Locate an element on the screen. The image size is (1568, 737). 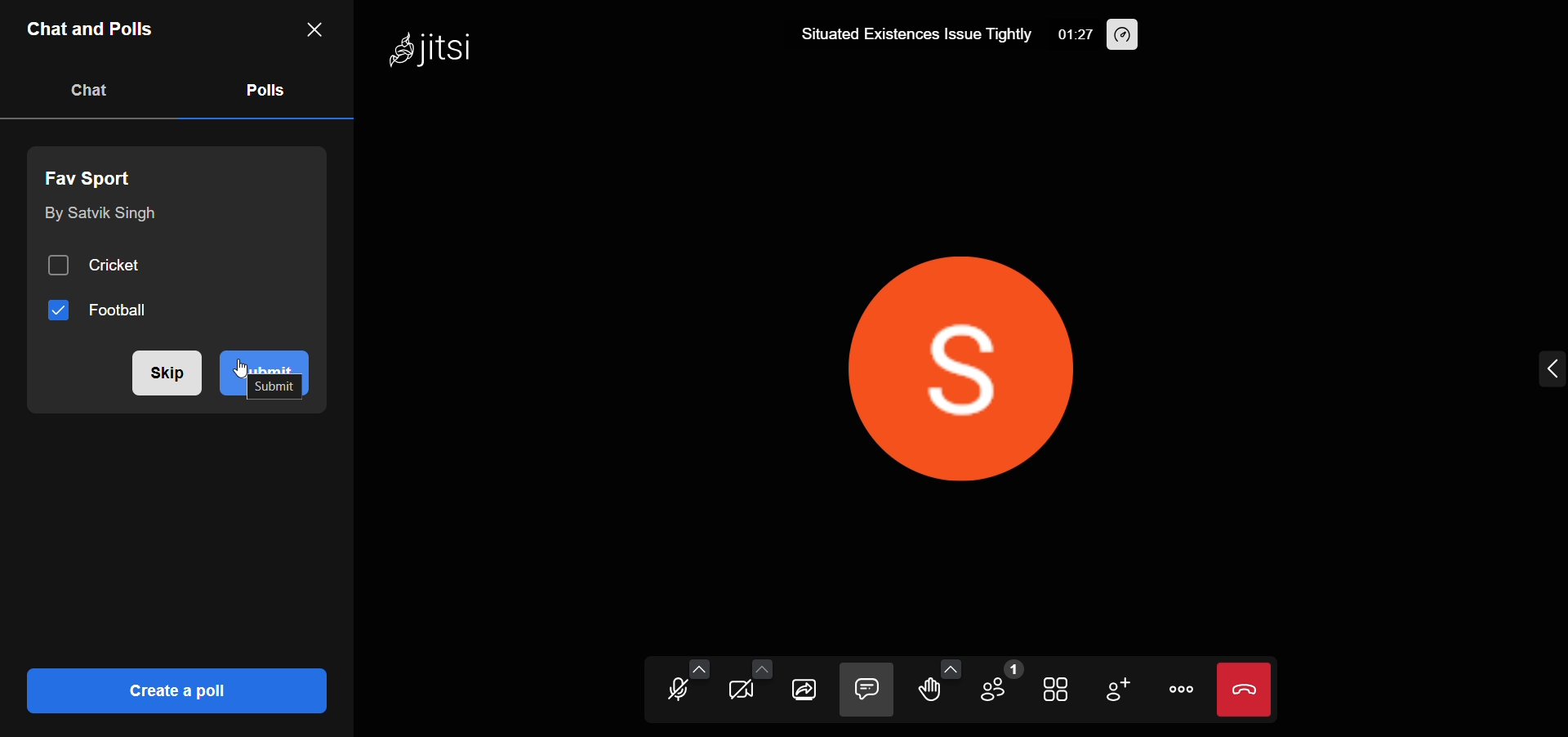
skip is located at coordinates (167, 375).